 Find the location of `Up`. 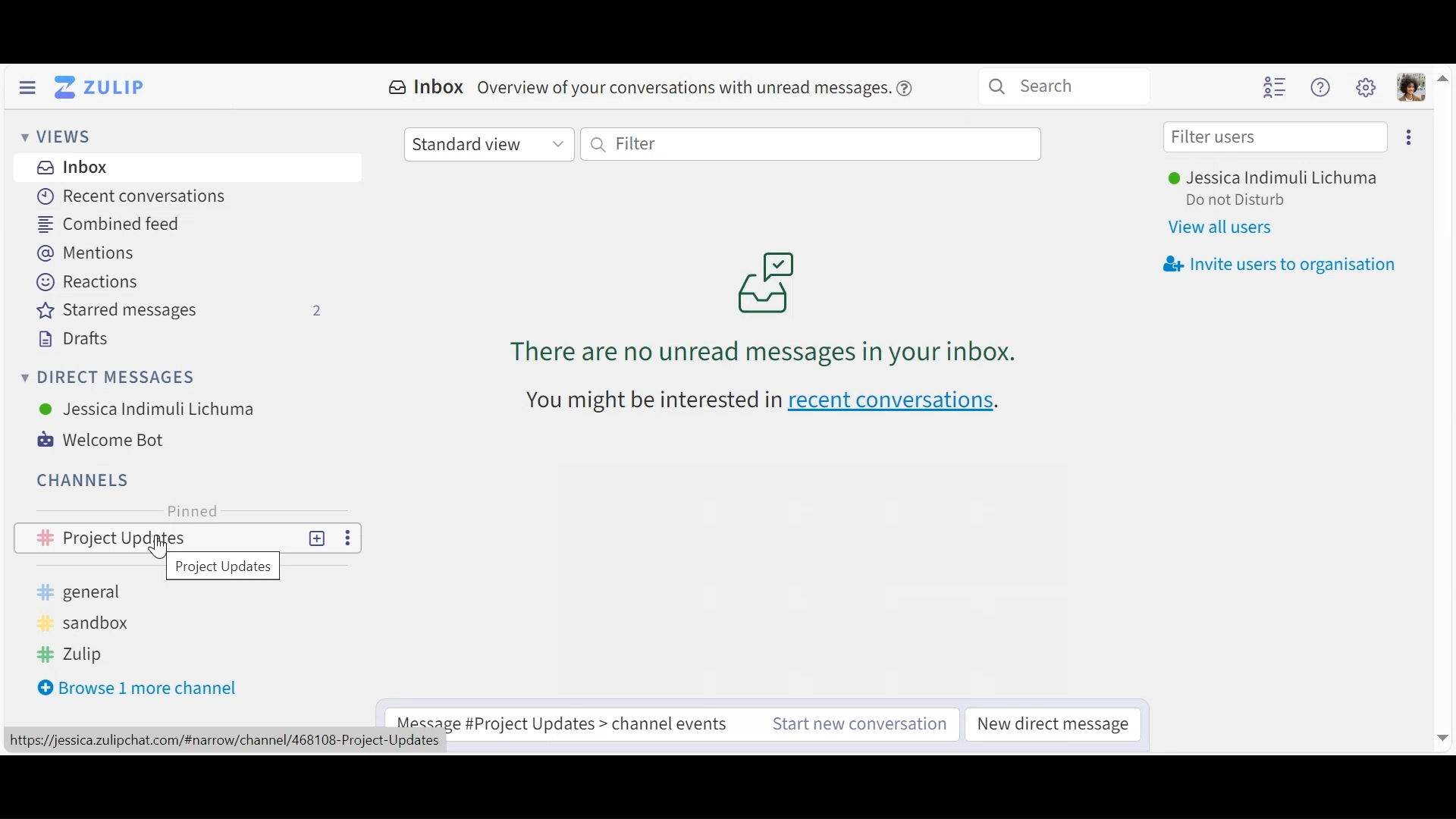

Up is located at coordinates (1444, 76).